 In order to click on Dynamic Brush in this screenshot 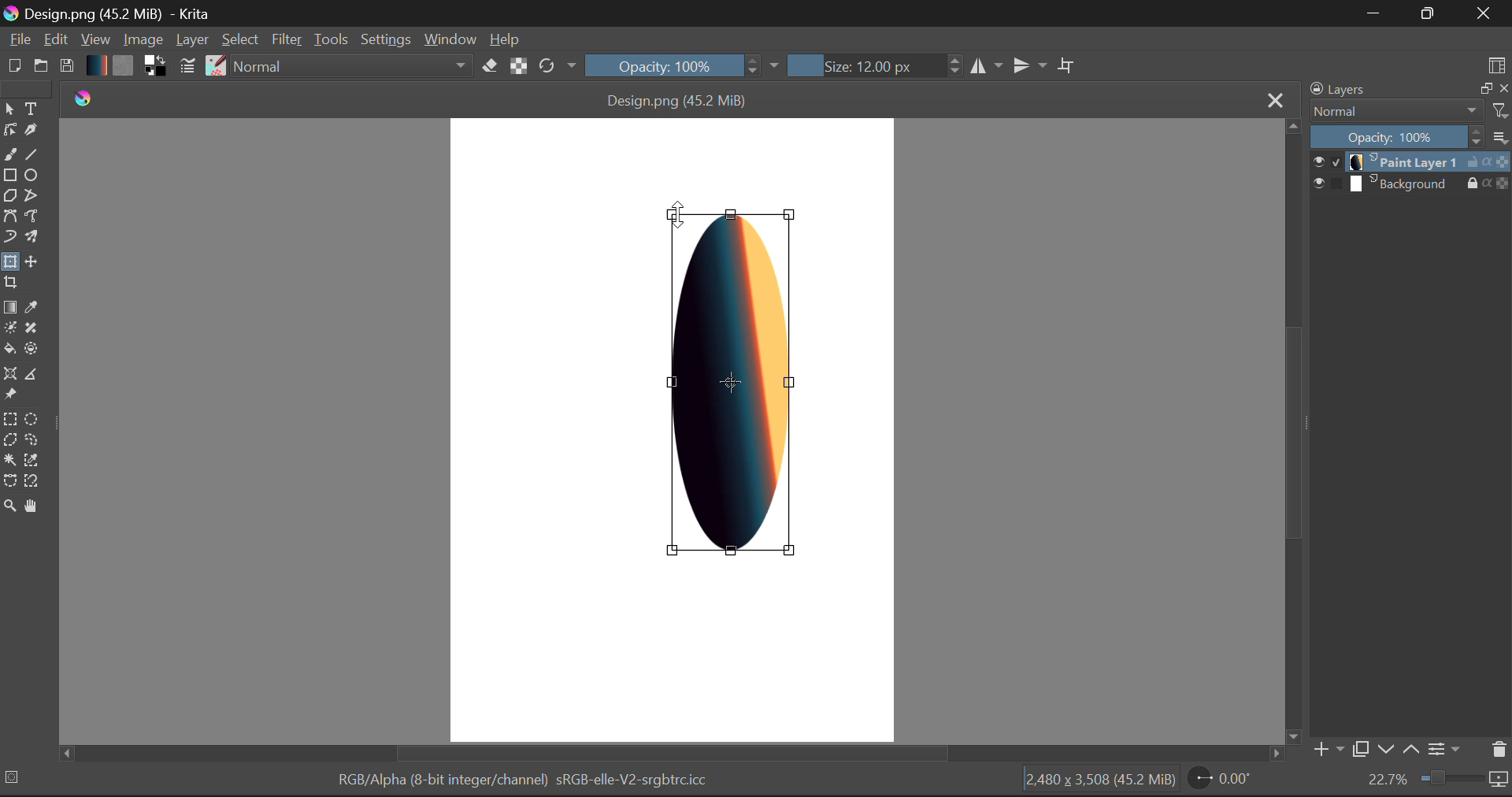, I will do `click(9, 238)`.